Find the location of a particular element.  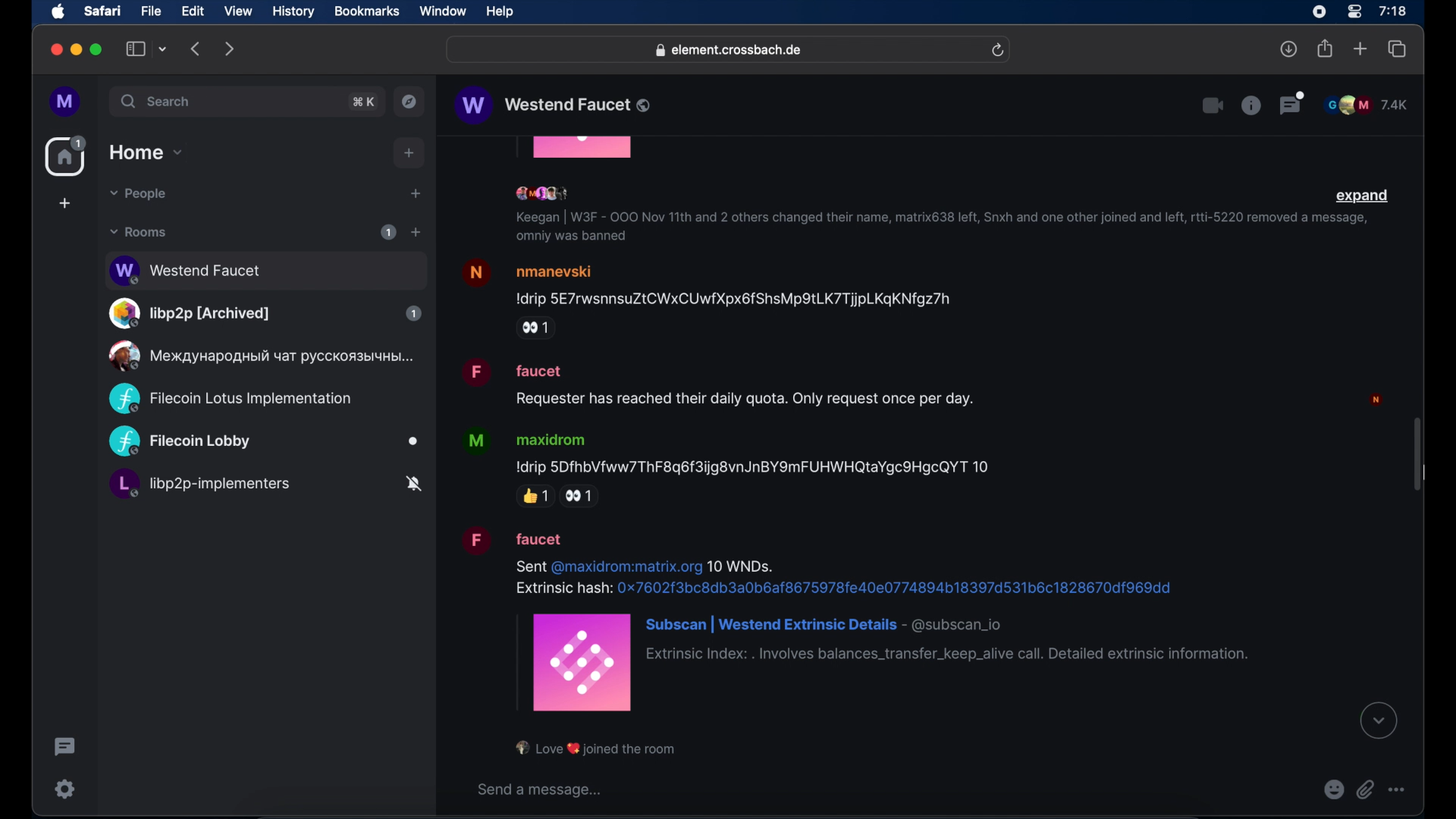

explore public rooms is located at coordinates (409, 102).